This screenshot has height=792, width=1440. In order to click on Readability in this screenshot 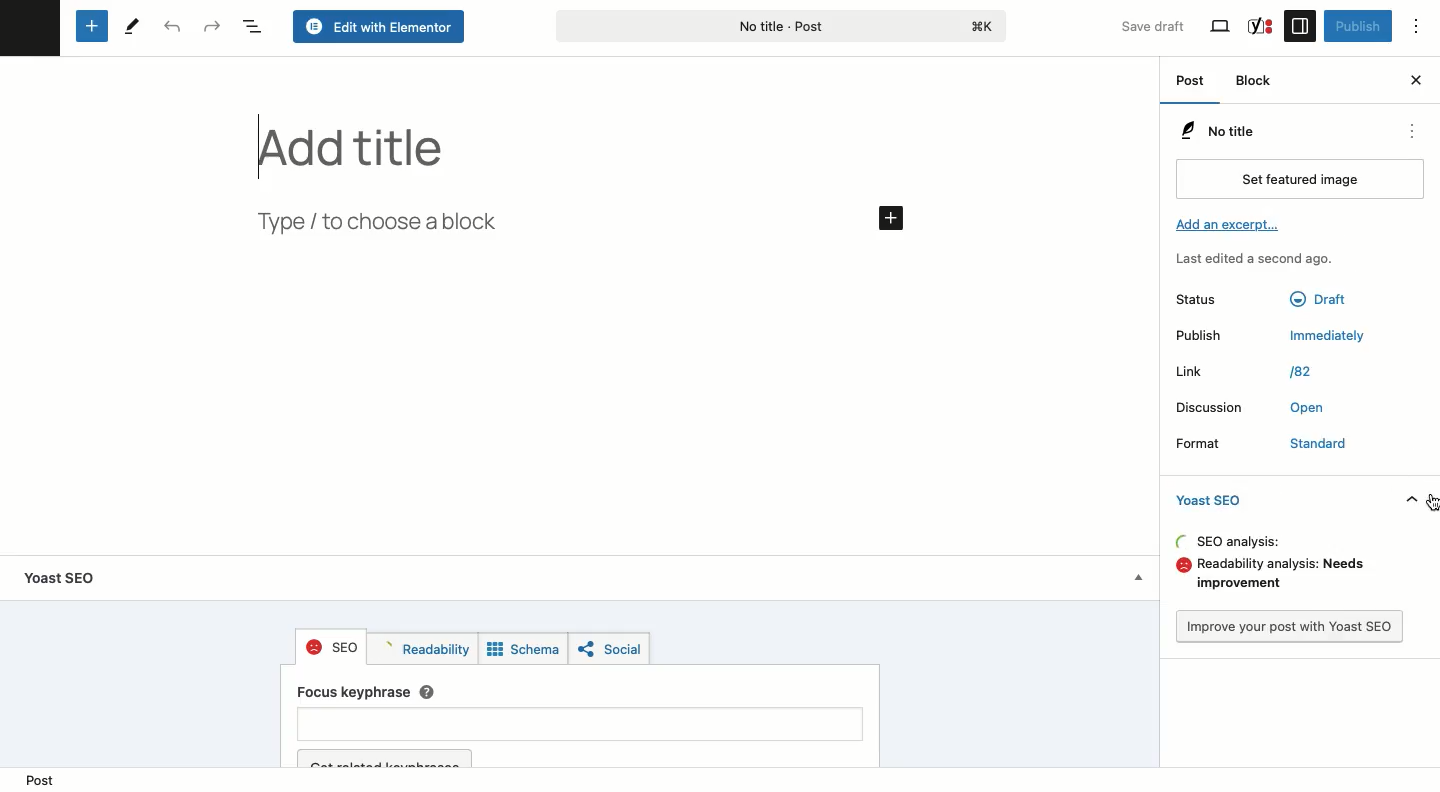, I will do `click(422, 649)`.